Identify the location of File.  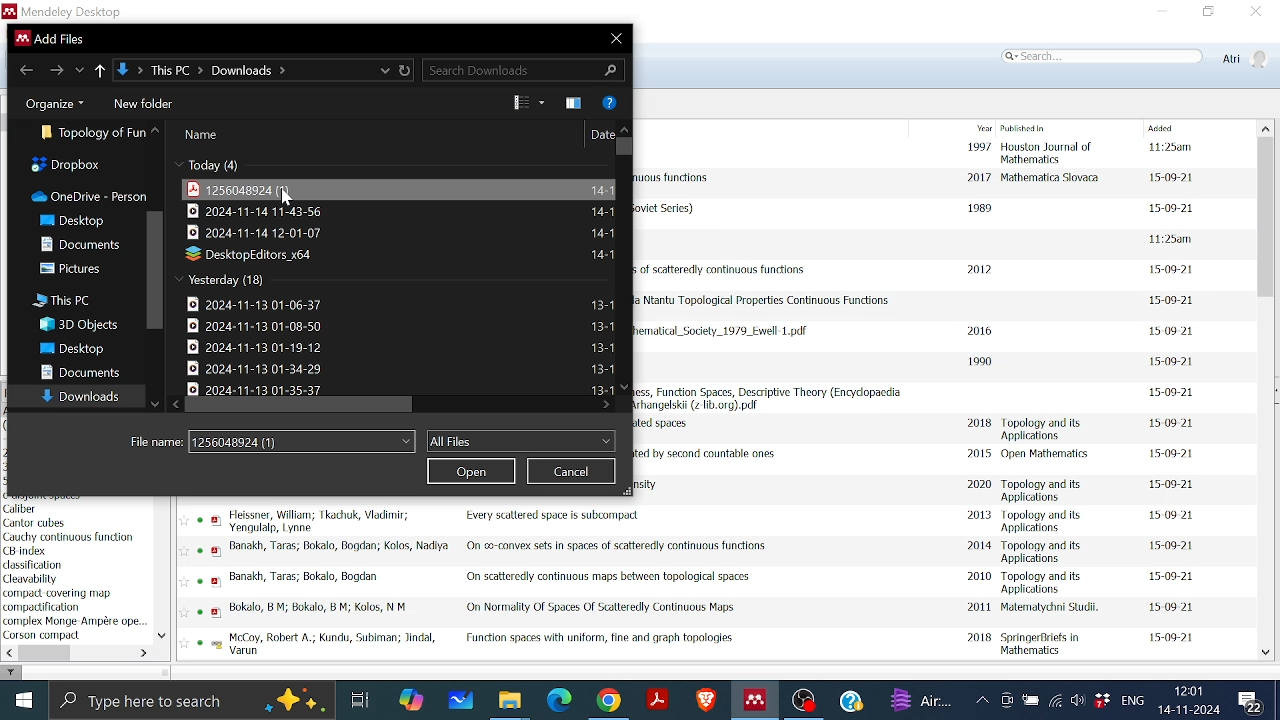
(602, 369).